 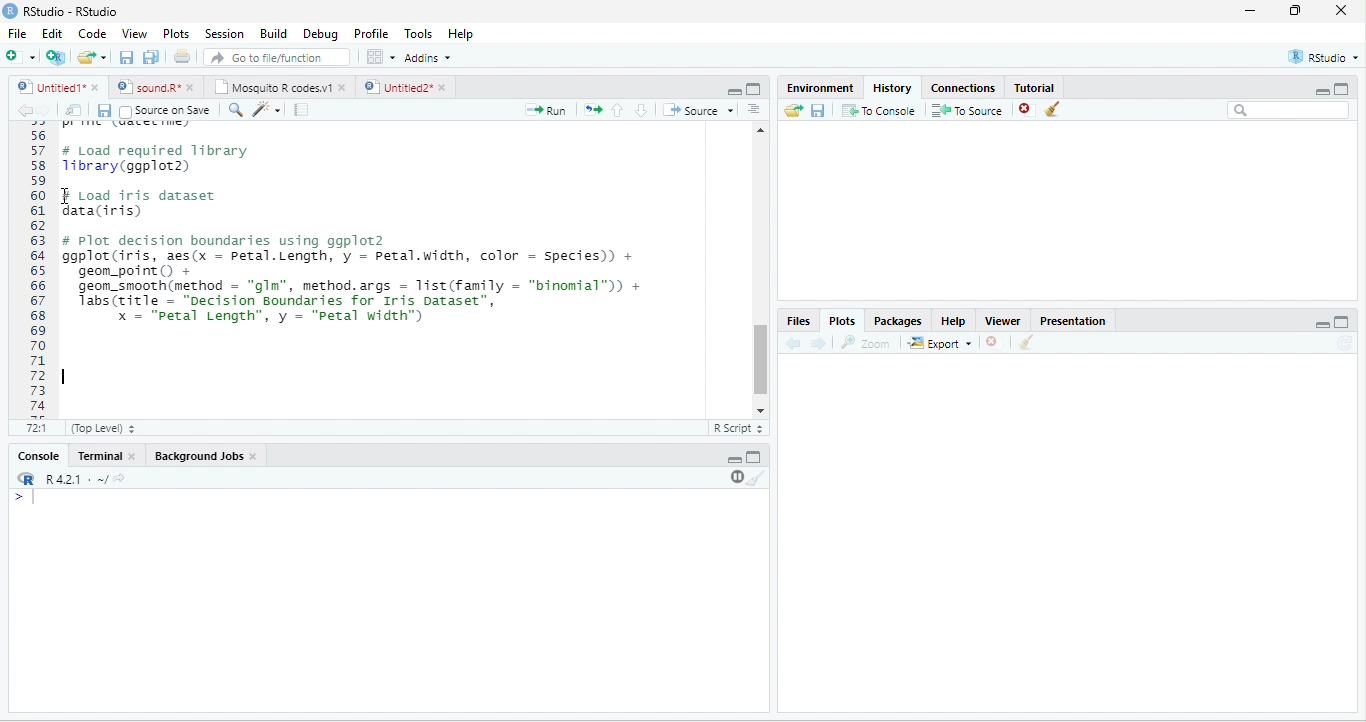 What do you see at coordinates (545, 110) in the screenshot?
I see `Run file` at bounding box center [545, 110].